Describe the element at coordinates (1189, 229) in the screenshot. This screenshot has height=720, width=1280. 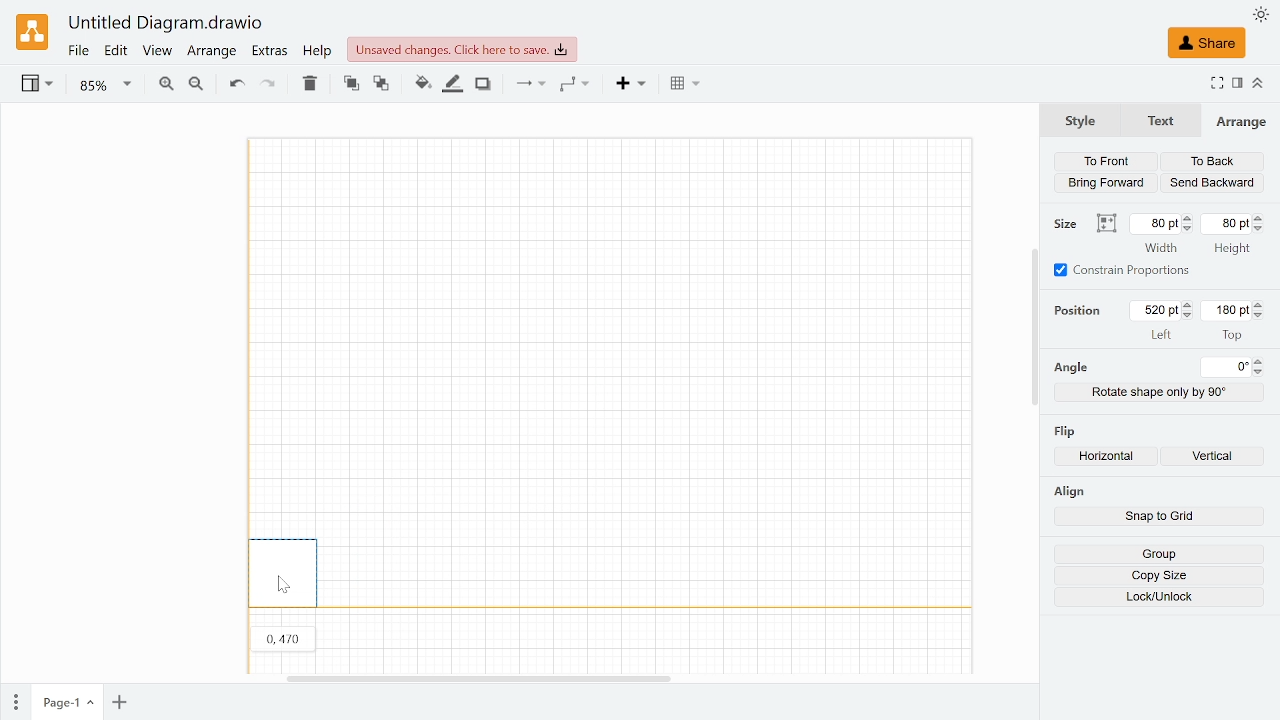
I see `Decrease width` at that location.